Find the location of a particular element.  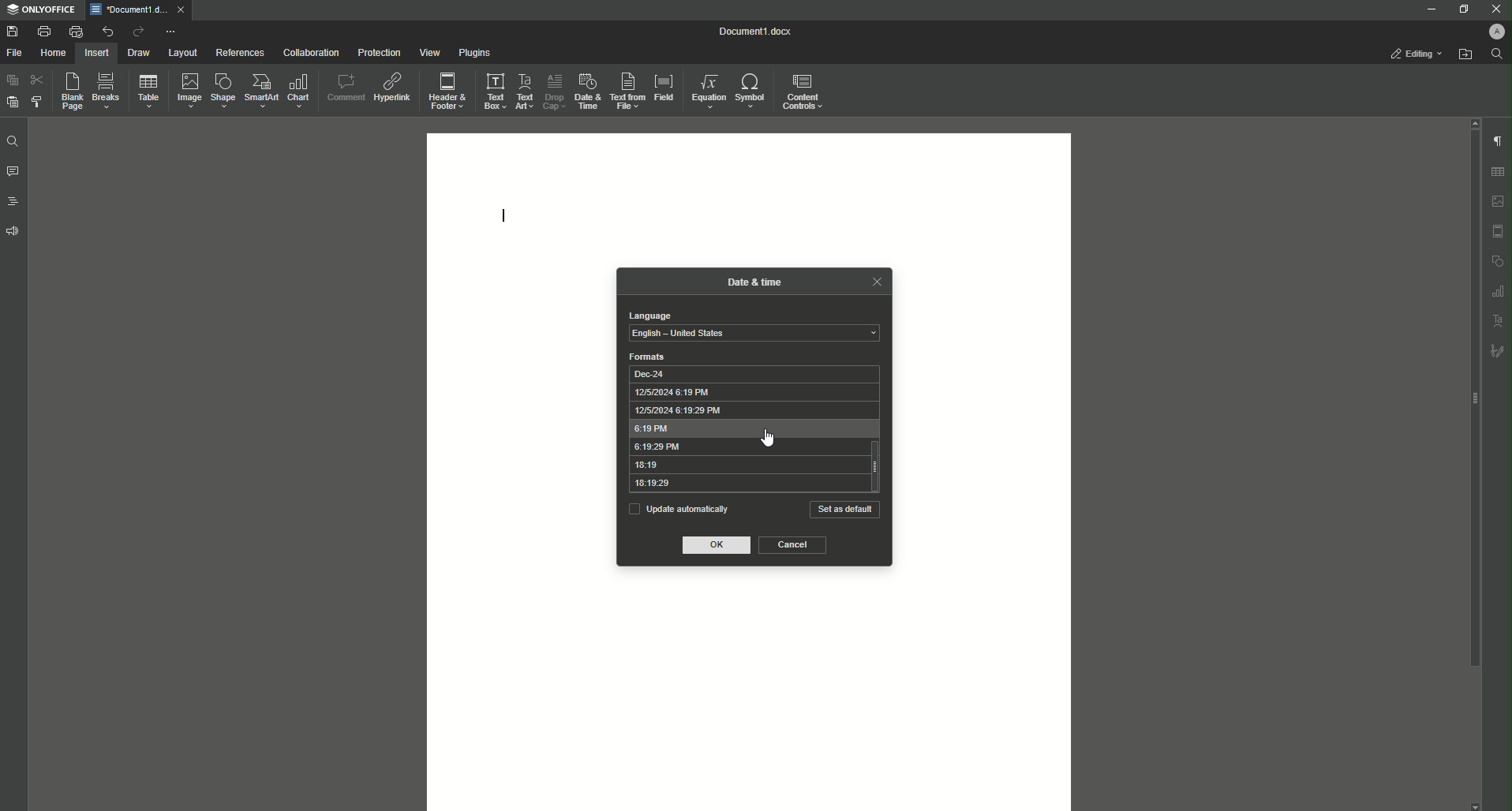

SmartArt is located at coordinates (259, 92).